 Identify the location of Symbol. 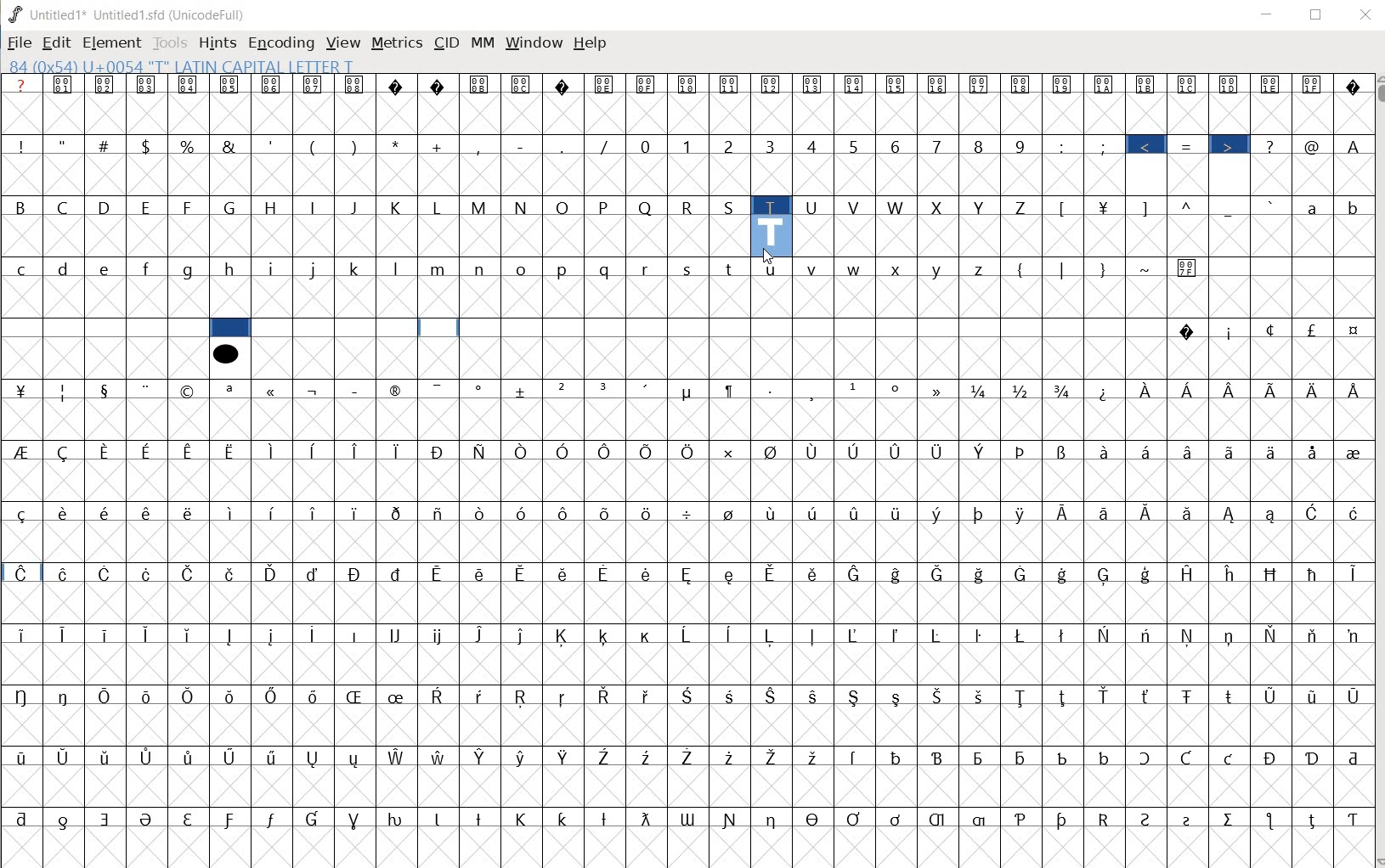
(483, 573).